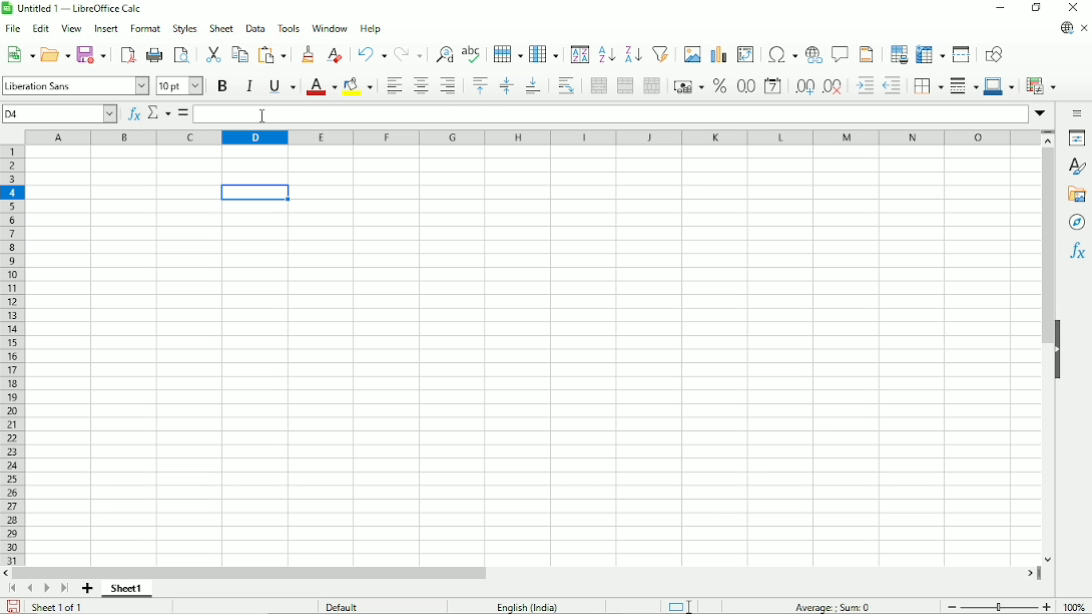 The image size is (1092, 614). Describe the element at coordinates (283, 86) in the screenshot. I see `Underline` at that location.